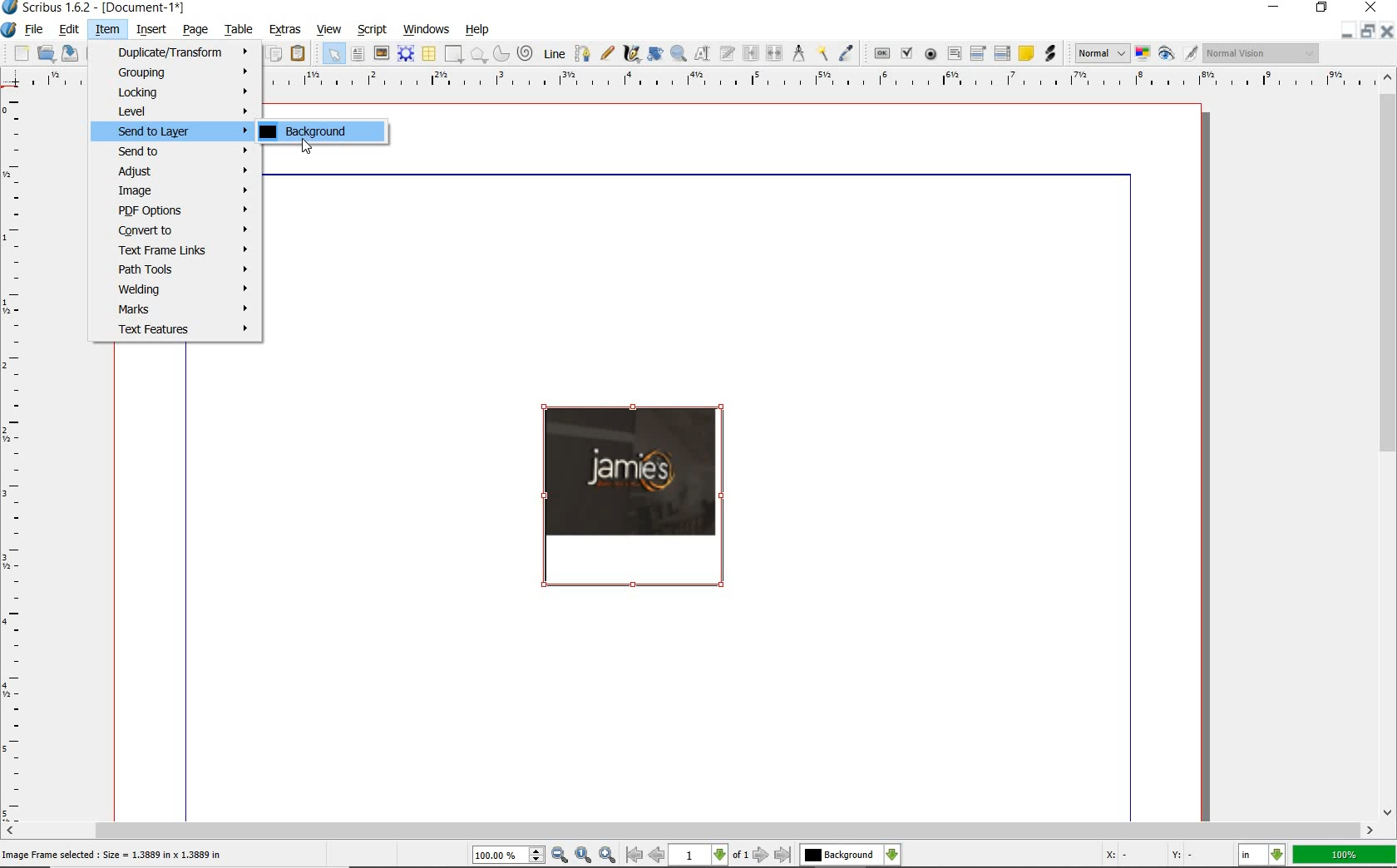 The width and height of the screenshot is (1397, 868). I want to click on image frame, so click(381, 54).